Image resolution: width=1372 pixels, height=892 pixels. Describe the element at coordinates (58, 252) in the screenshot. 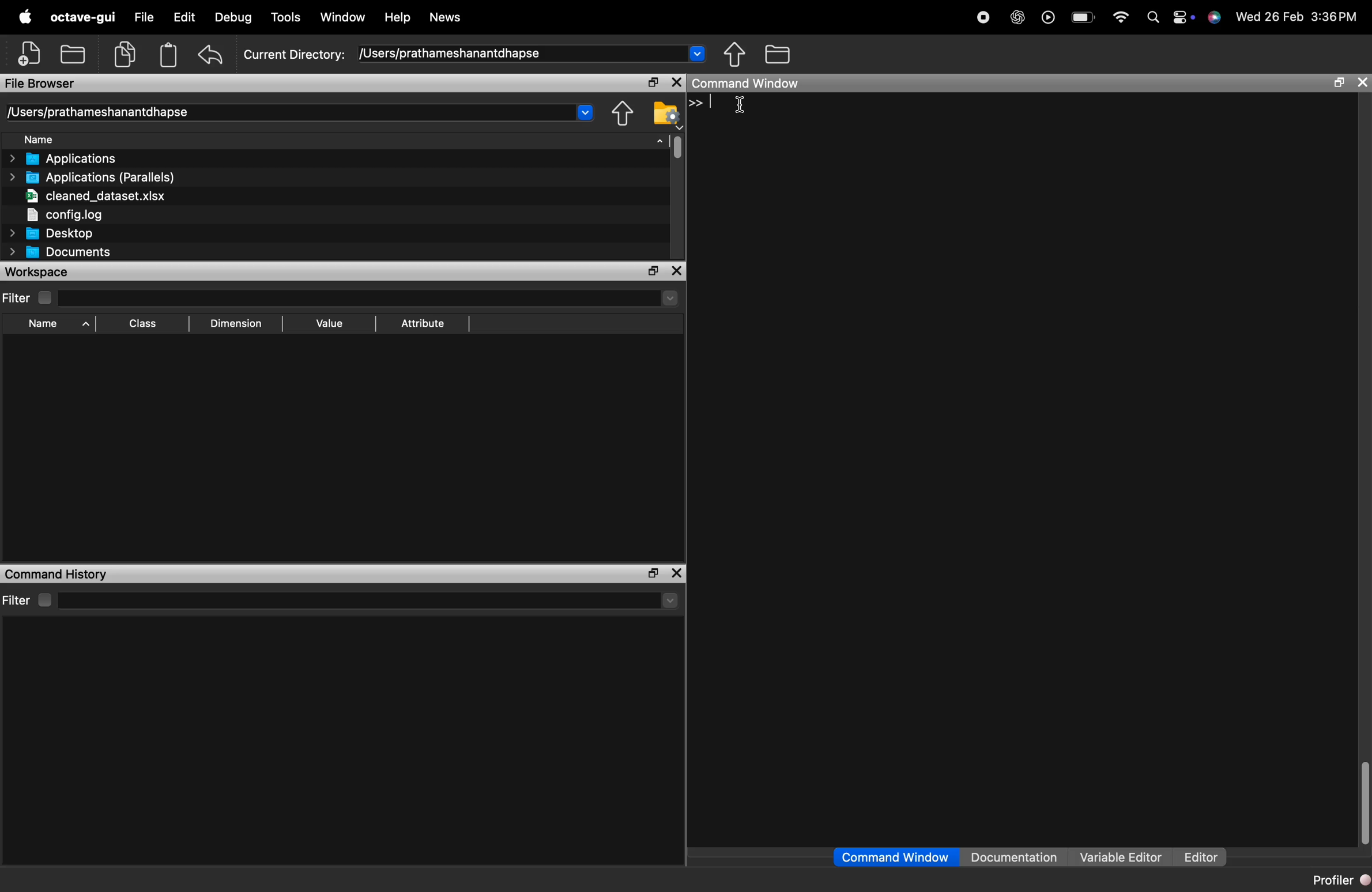

I see `Documents` at that location.